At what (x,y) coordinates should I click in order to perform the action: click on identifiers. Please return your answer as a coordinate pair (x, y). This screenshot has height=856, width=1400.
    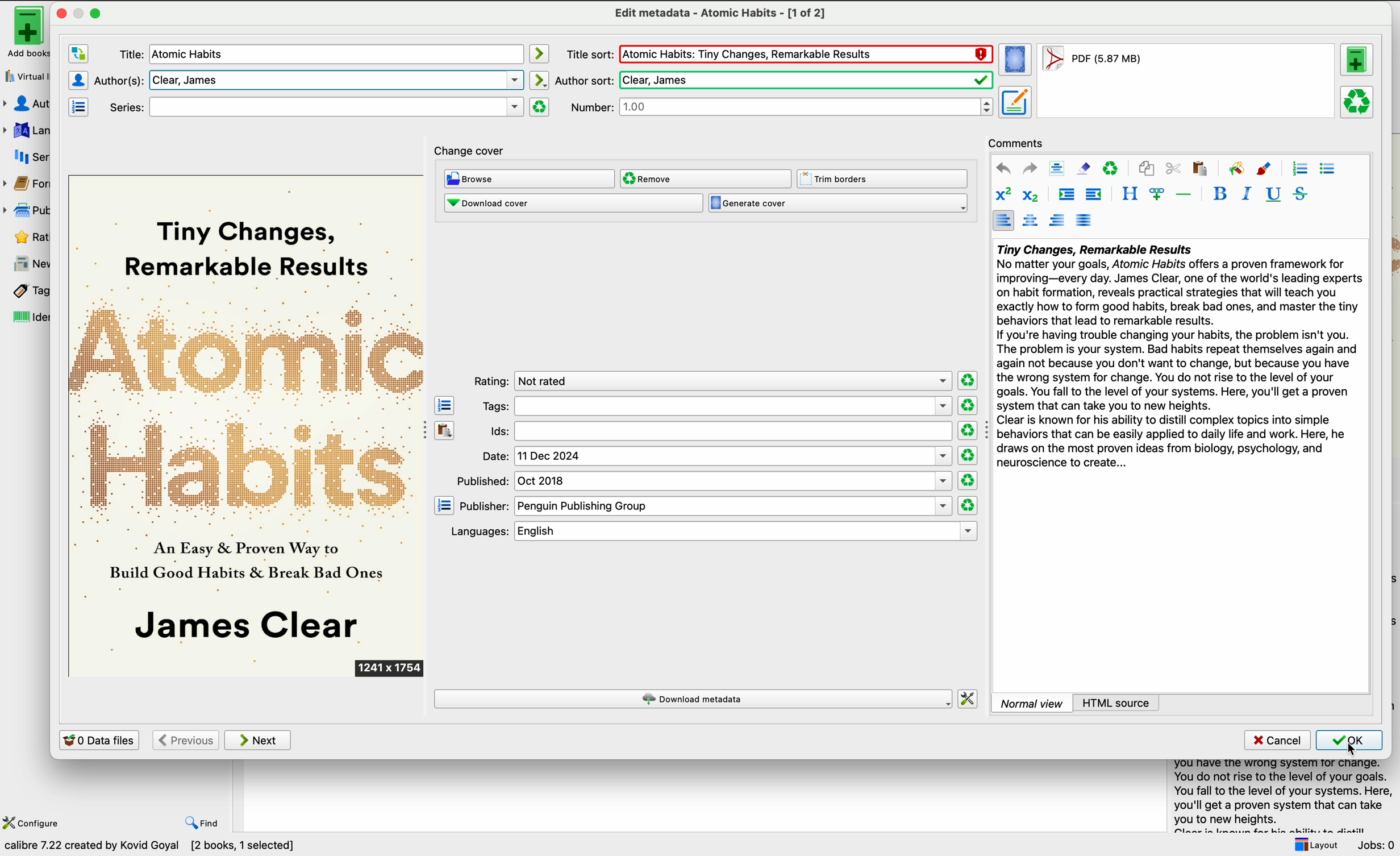
    Looking at the image, I should click on (24, 318).